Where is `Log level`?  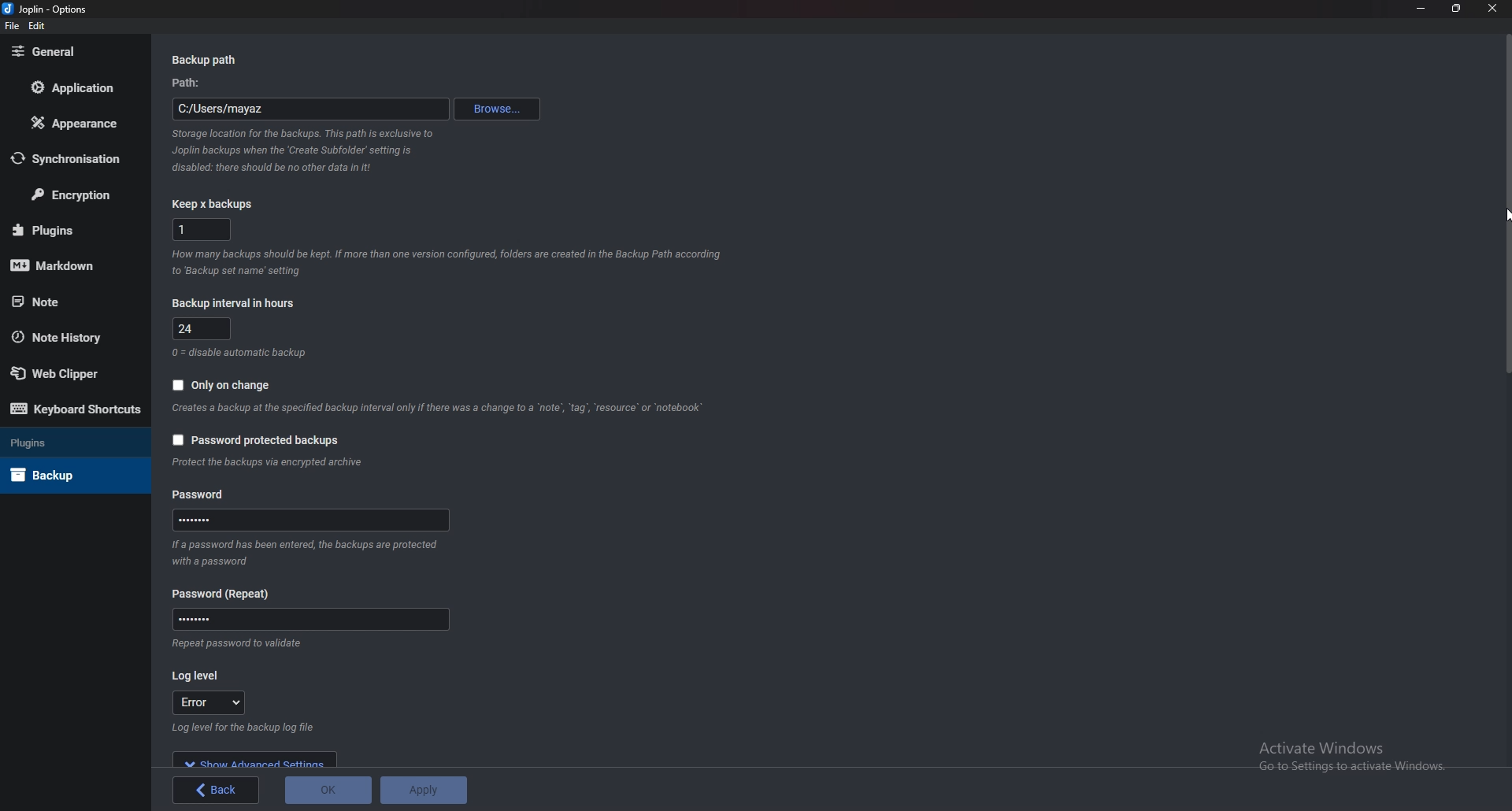 Log level is located at coordinates (200, 676).